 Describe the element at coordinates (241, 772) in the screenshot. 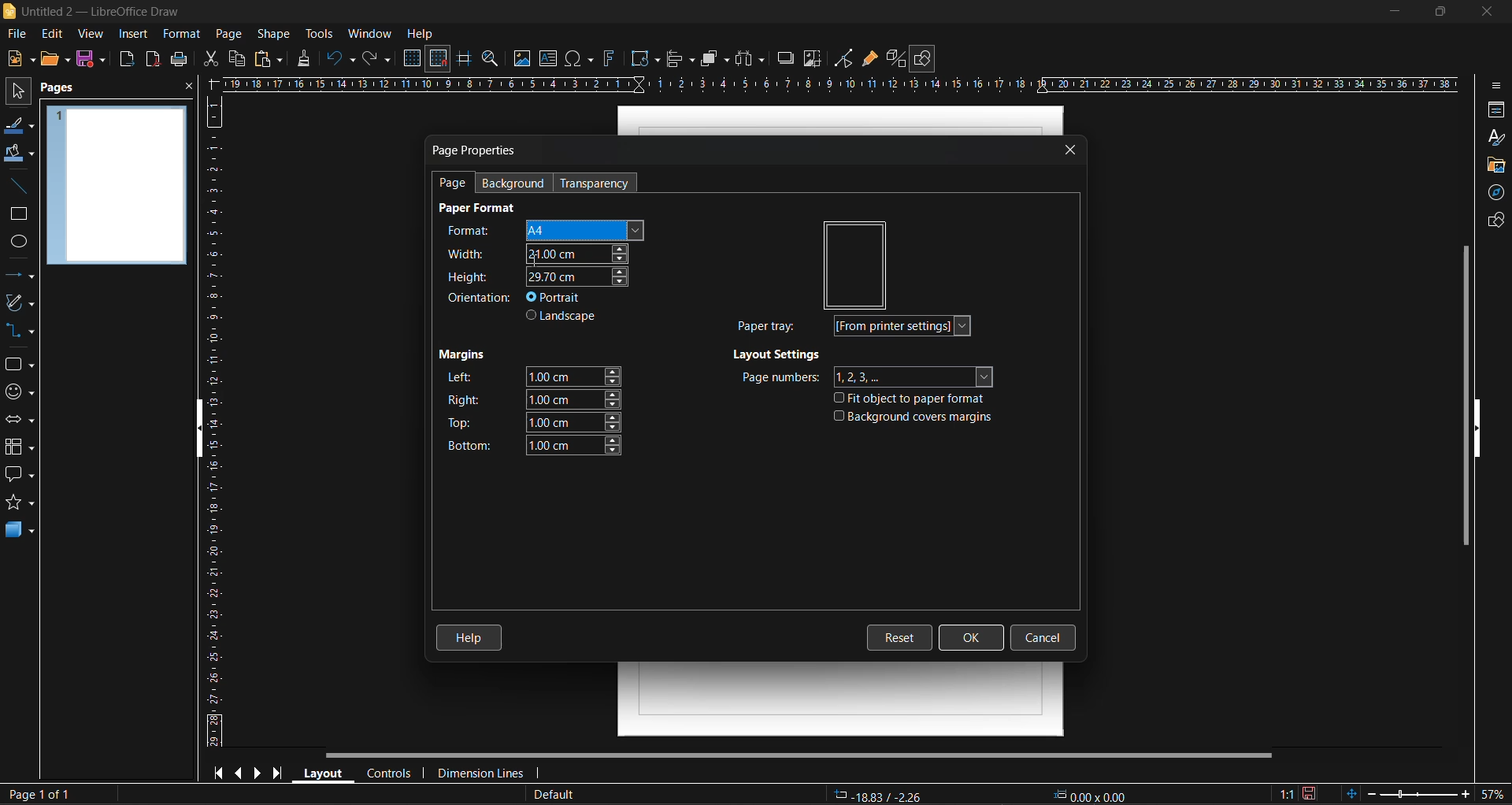

I see `previous` at that location.